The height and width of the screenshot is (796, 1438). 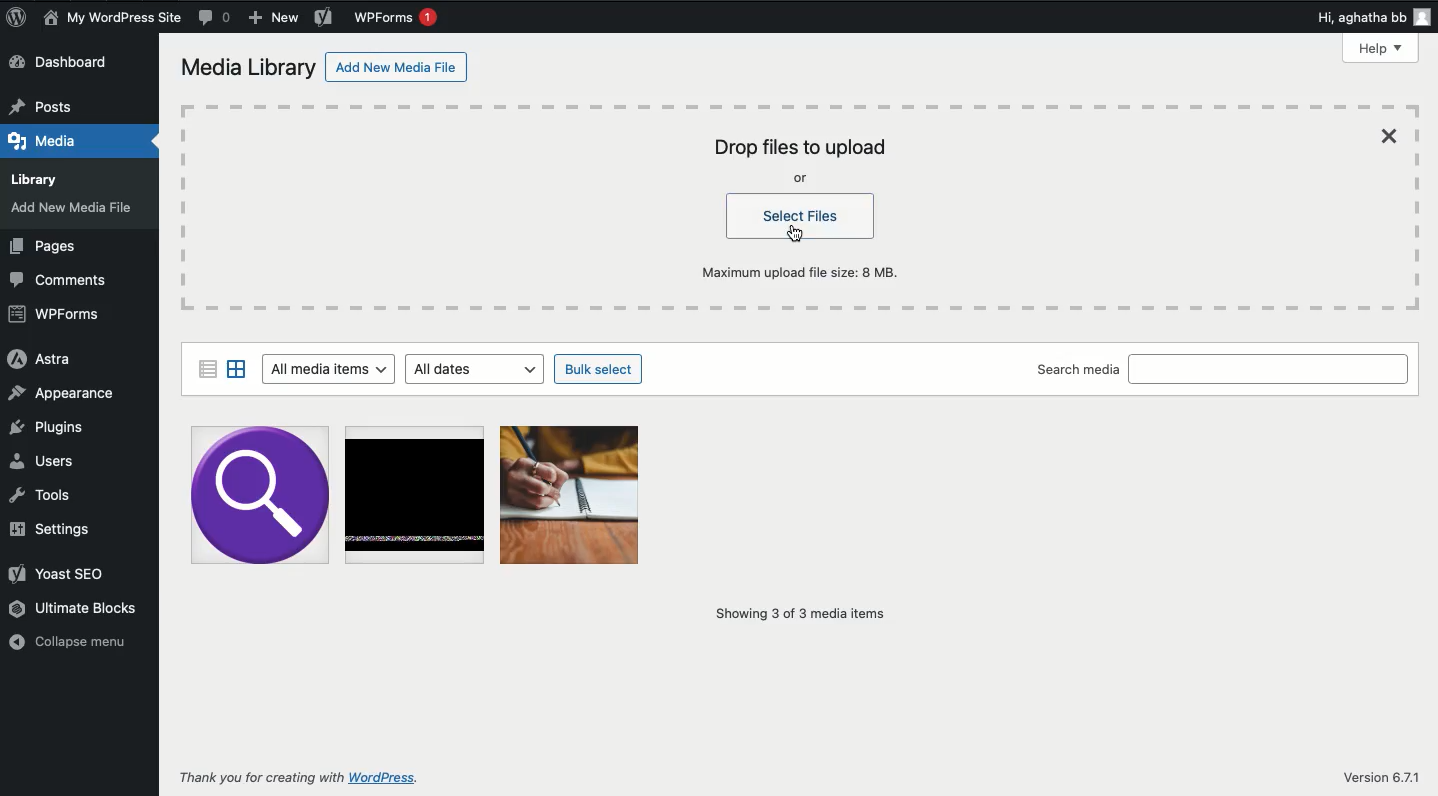 I want to click on Yoast, so click(x=324, y=19).